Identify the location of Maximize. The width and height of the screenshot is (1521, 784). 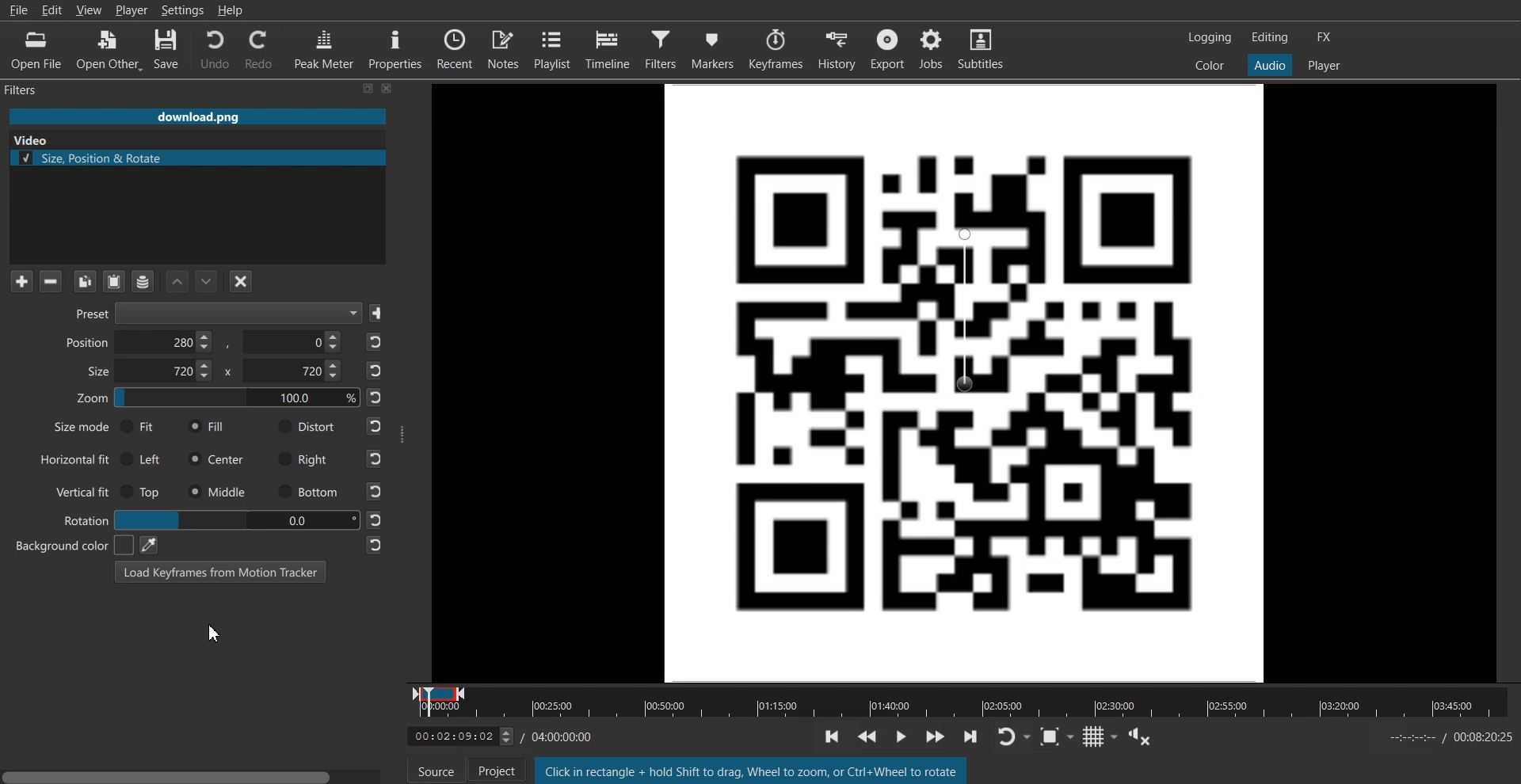
(369, 89).